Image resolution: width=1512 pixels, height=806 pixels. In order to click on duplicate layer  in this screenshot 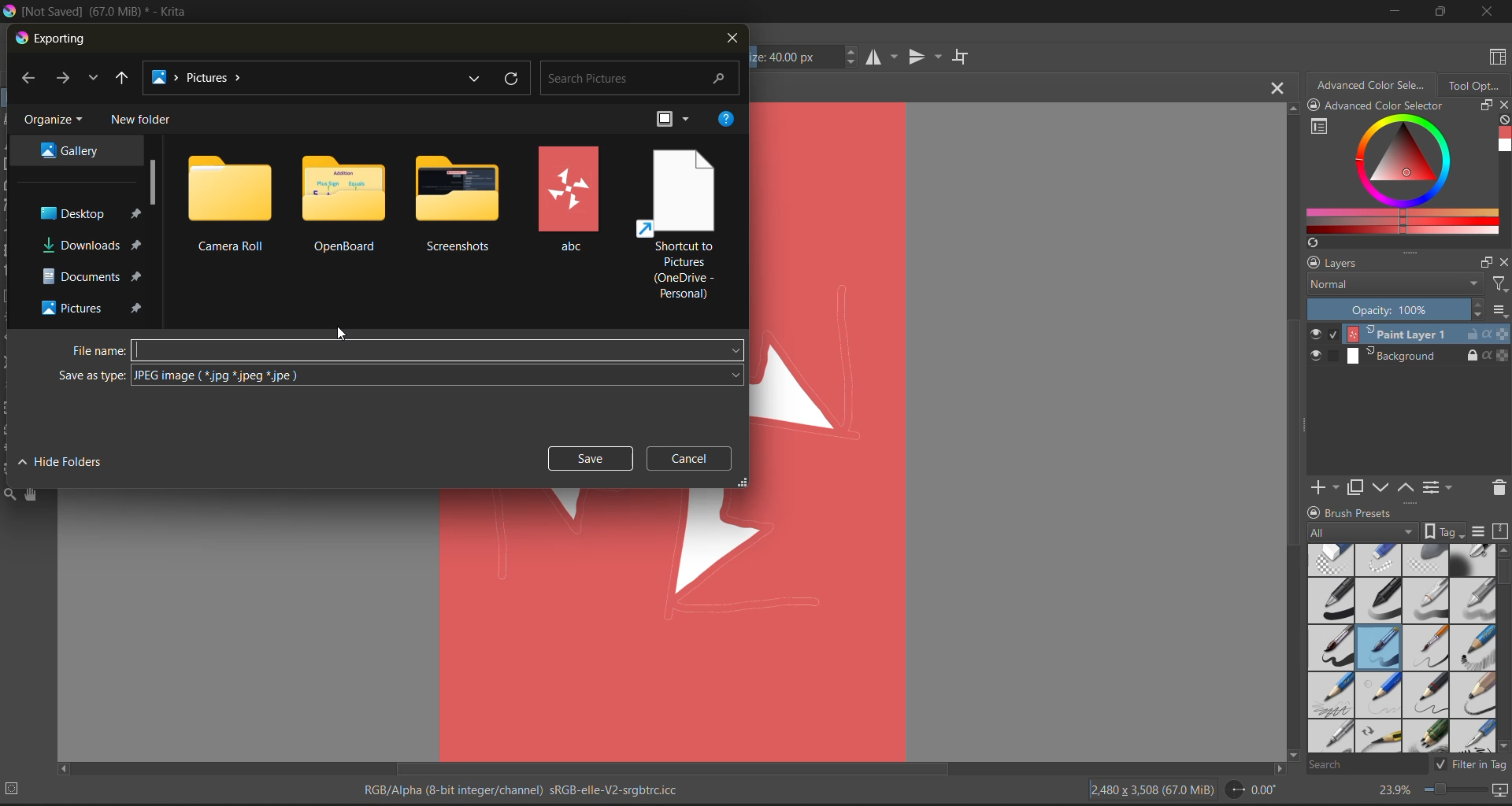, I will do `click(1363, 490)`.